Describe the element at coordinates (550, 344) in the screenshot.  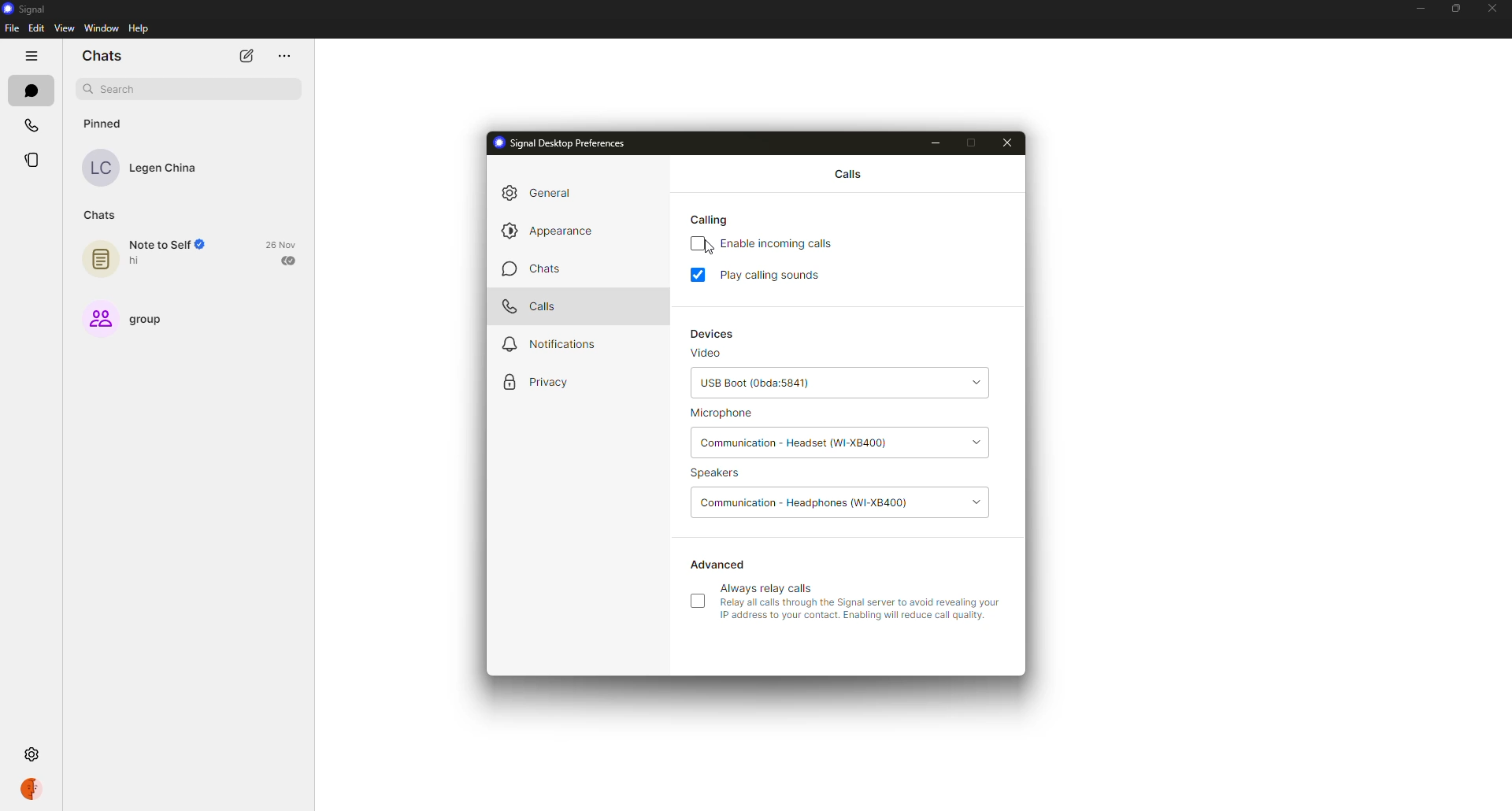
I see `notifications` at that location.